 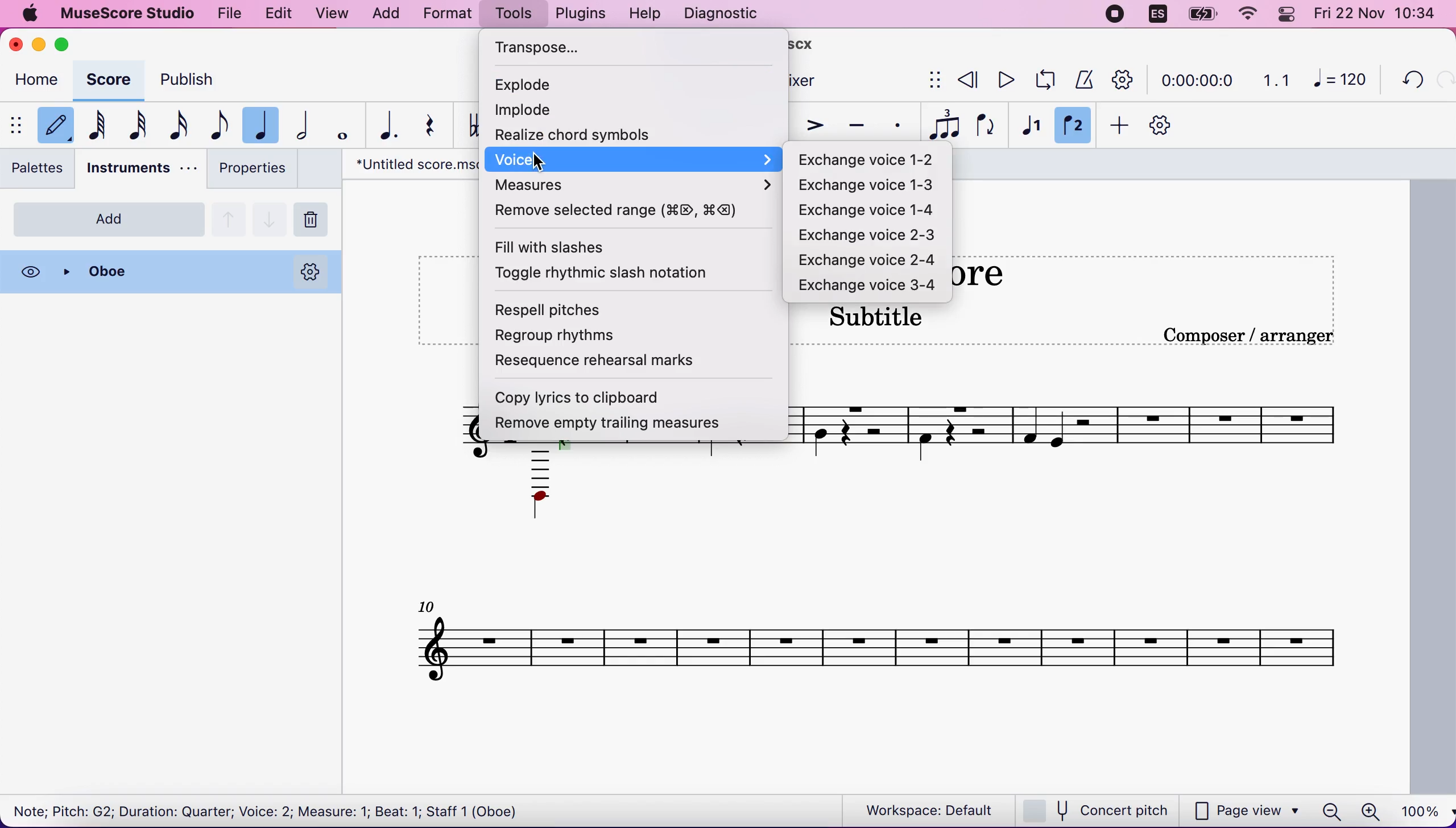 What do you see at coordinates (602, 275) in the screenshot?
I see `toggle rhythmic slash notation` at bounding box center [602, 275].